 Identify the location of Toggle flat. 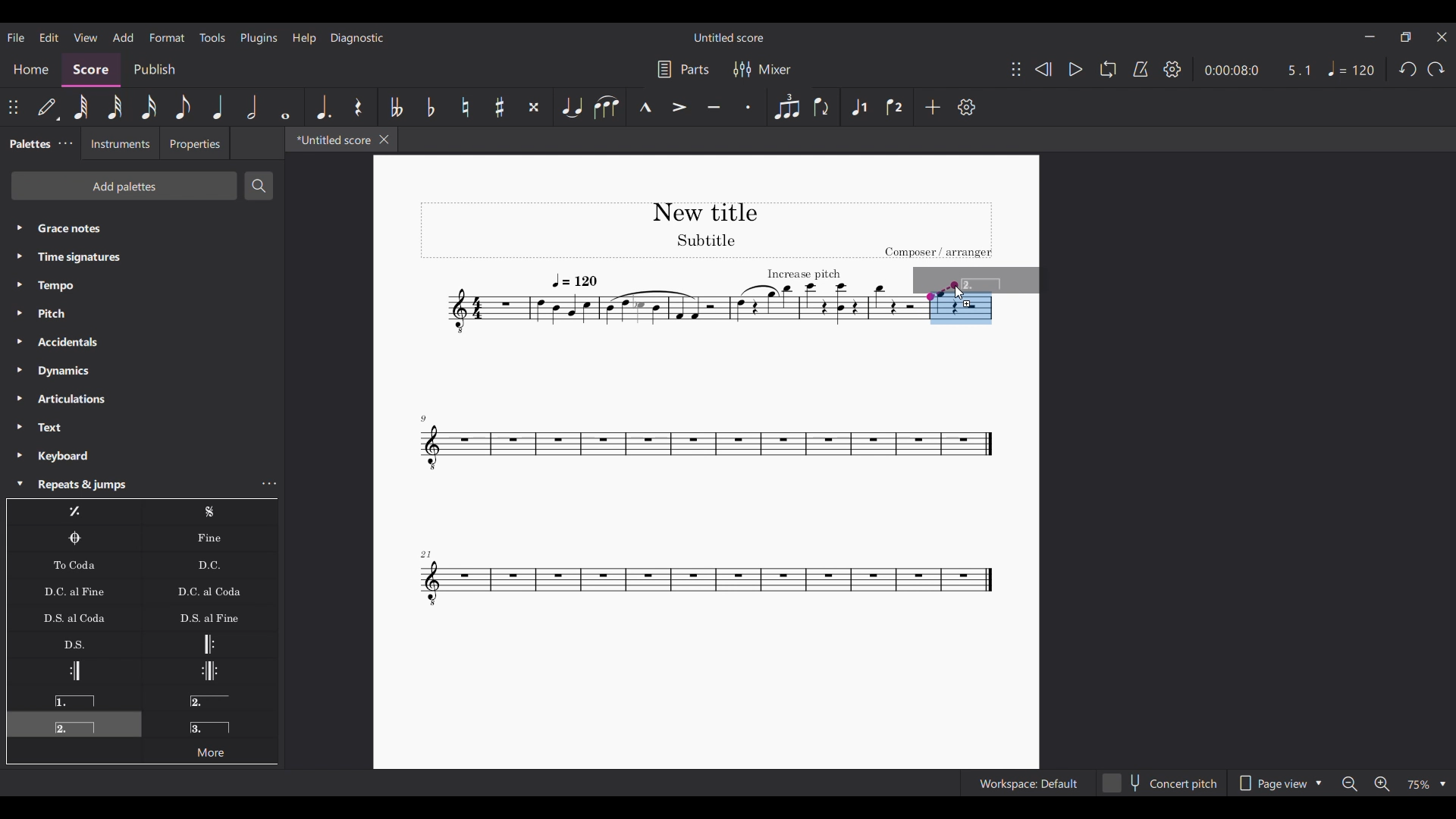
(430, 107).